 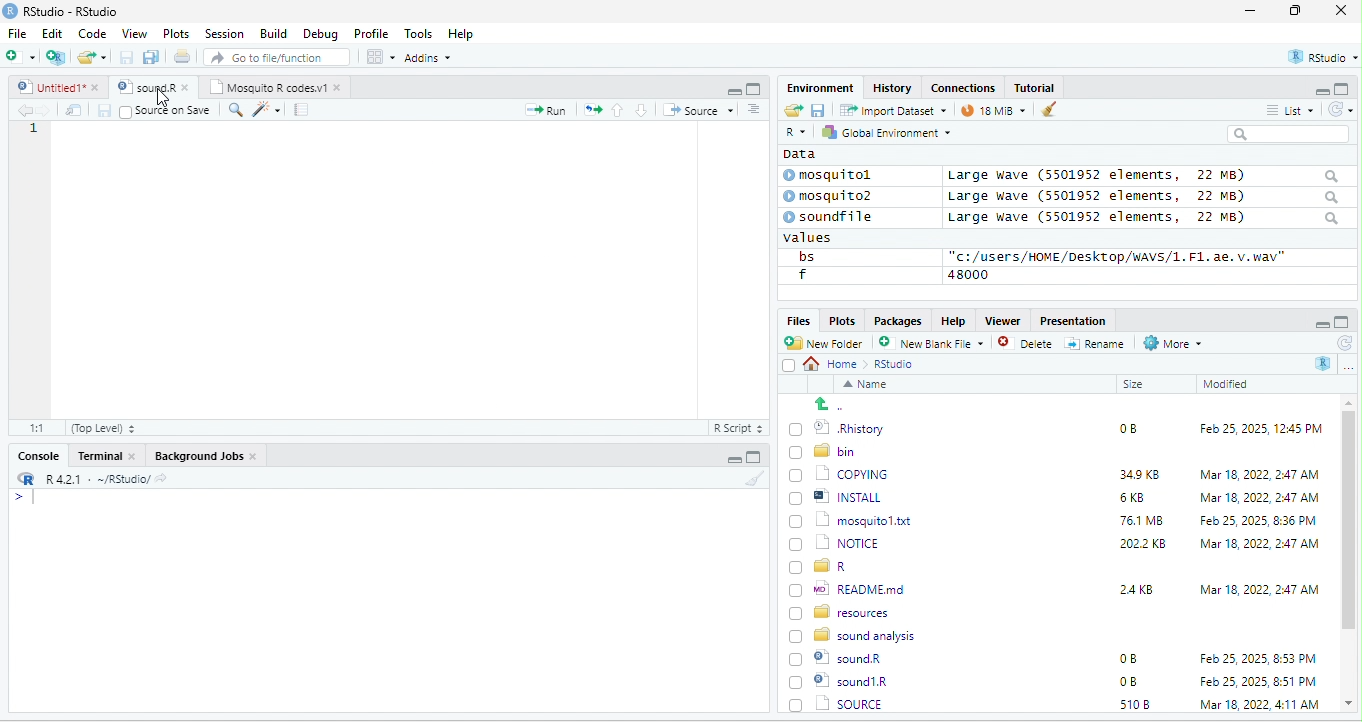 I want to click on Help, so click(x=462, y=35).